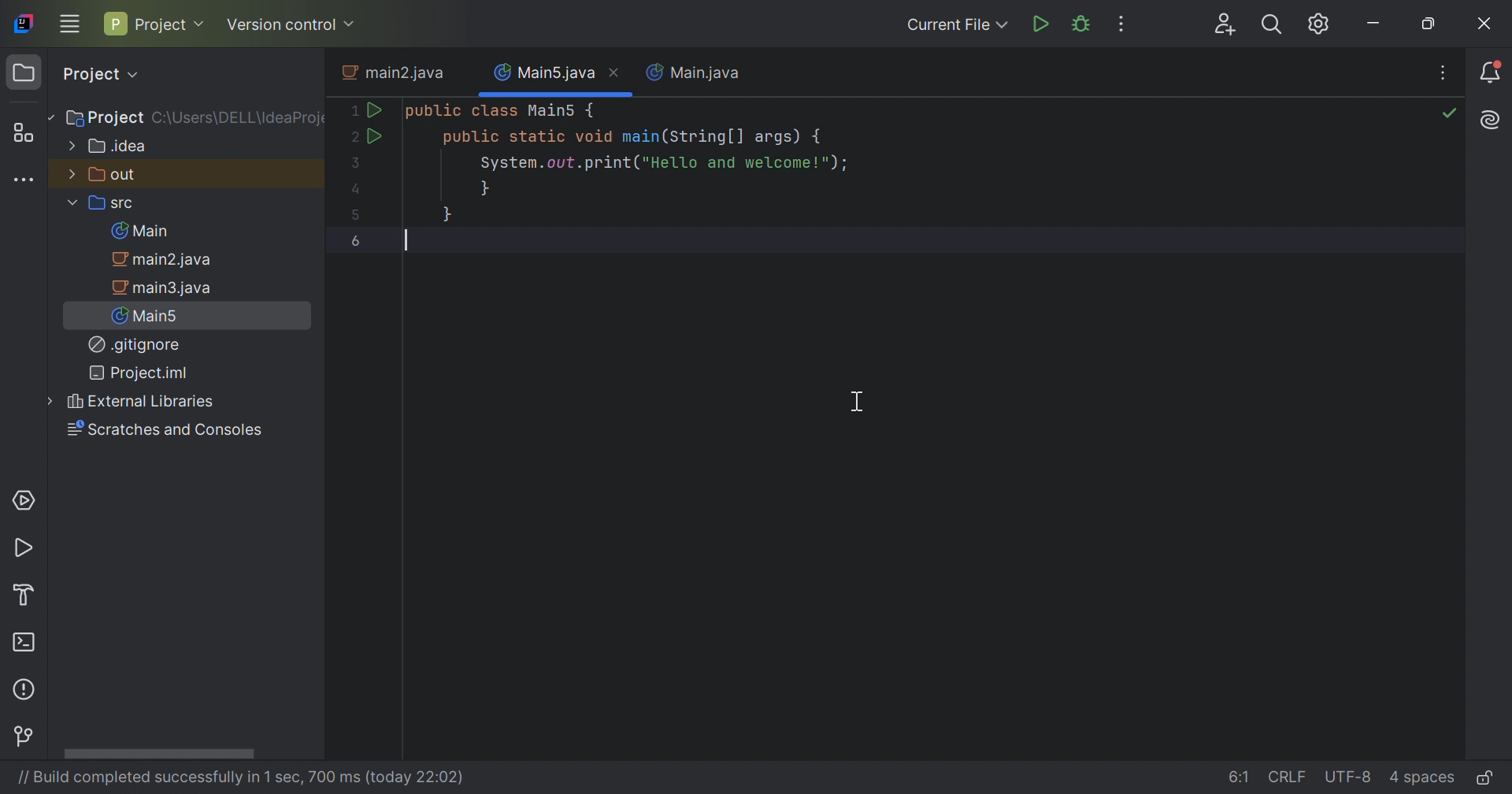  What do you see at coordinates (617, 72) in the screenshot?
I see `Close` at bounding box center [617, 72].